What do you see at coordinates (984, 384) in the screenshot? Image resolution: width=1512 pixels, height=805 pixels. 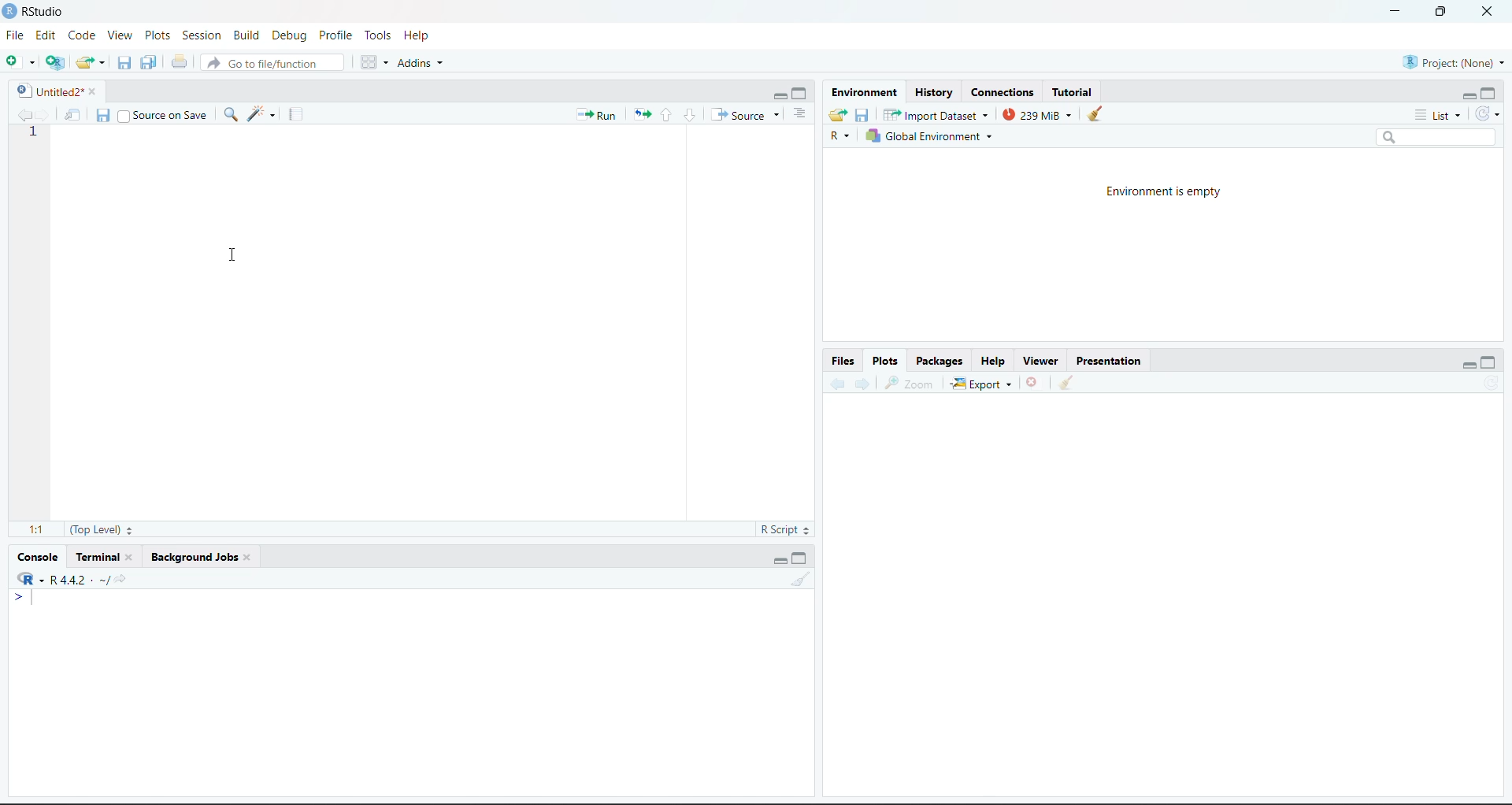 I see `Export` at bounding box center [984, 384].